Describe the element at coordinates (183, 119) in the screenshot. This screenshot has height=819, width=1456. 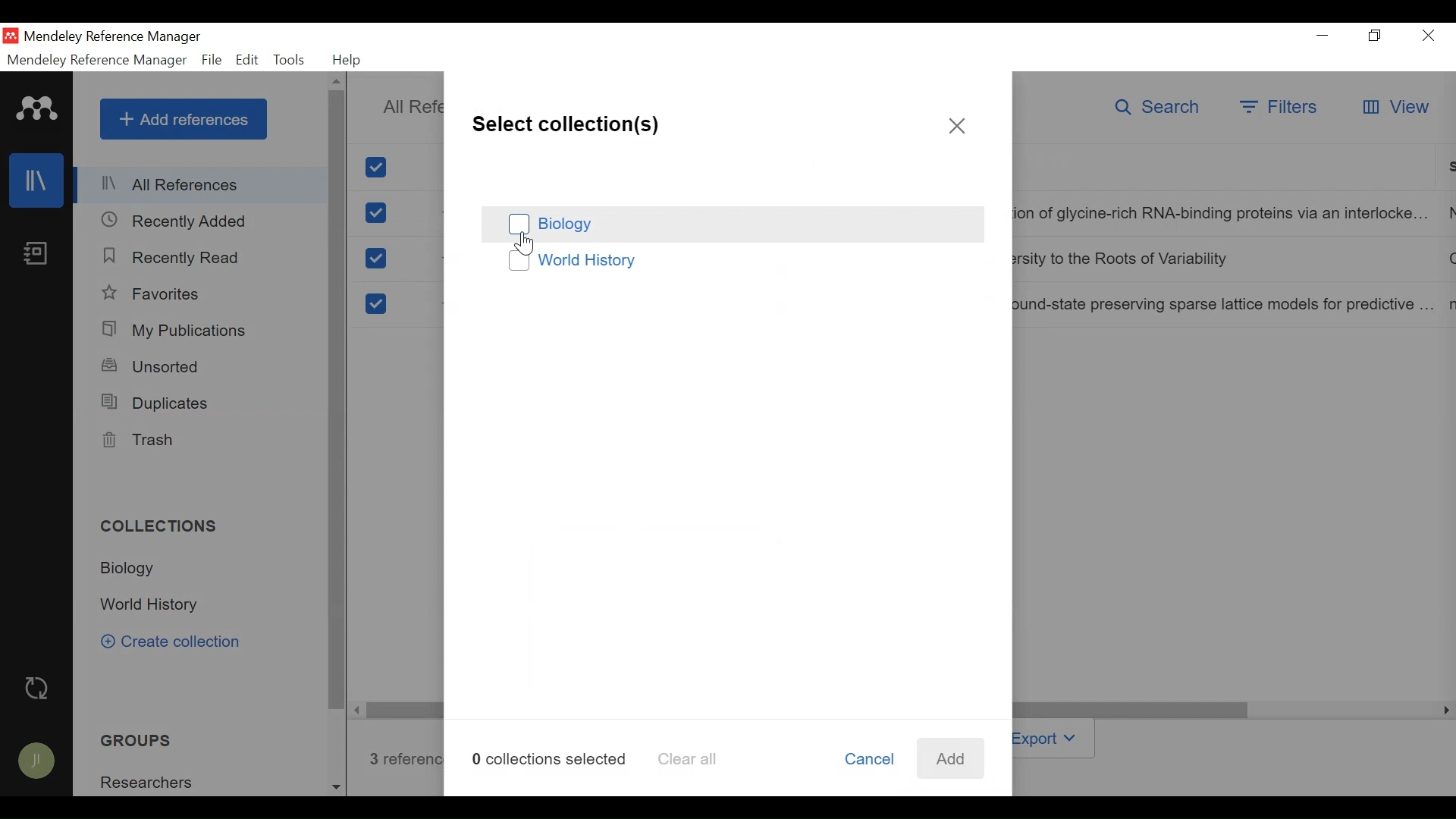
I see `Add Reference` at that location.